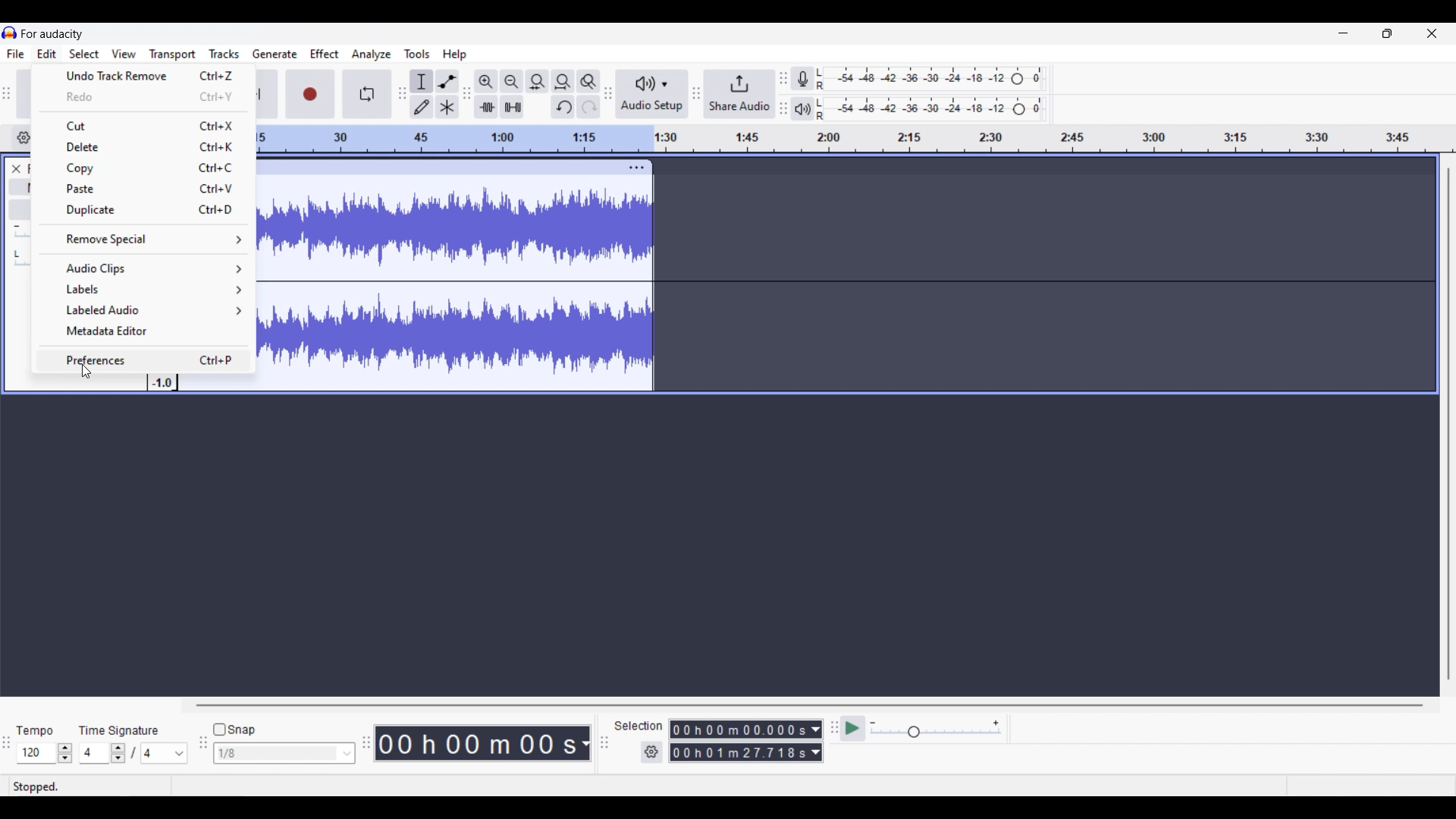 The image size is (1456, 819). Describe the element at coordinates (118, 731) in the screenshot. I see `time signature` at that location.